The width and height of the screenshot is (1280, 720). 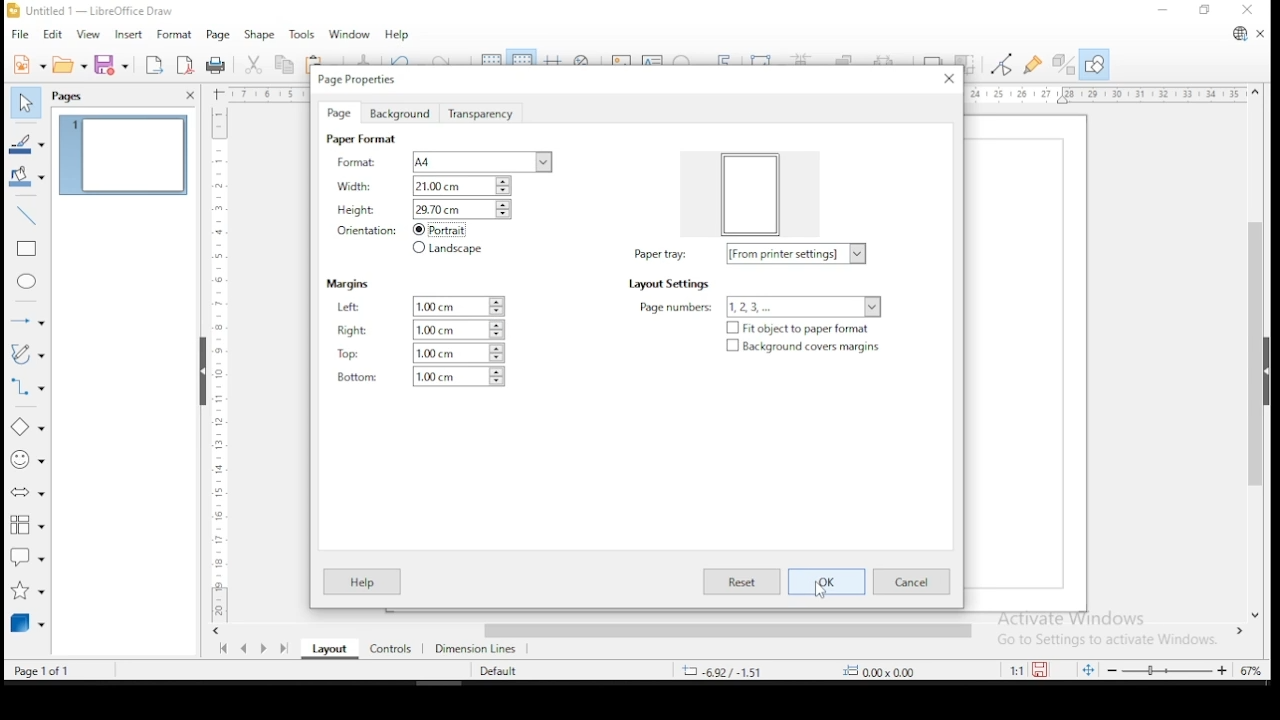 I want to click on zoom slider, so click(x=1171, y=669).